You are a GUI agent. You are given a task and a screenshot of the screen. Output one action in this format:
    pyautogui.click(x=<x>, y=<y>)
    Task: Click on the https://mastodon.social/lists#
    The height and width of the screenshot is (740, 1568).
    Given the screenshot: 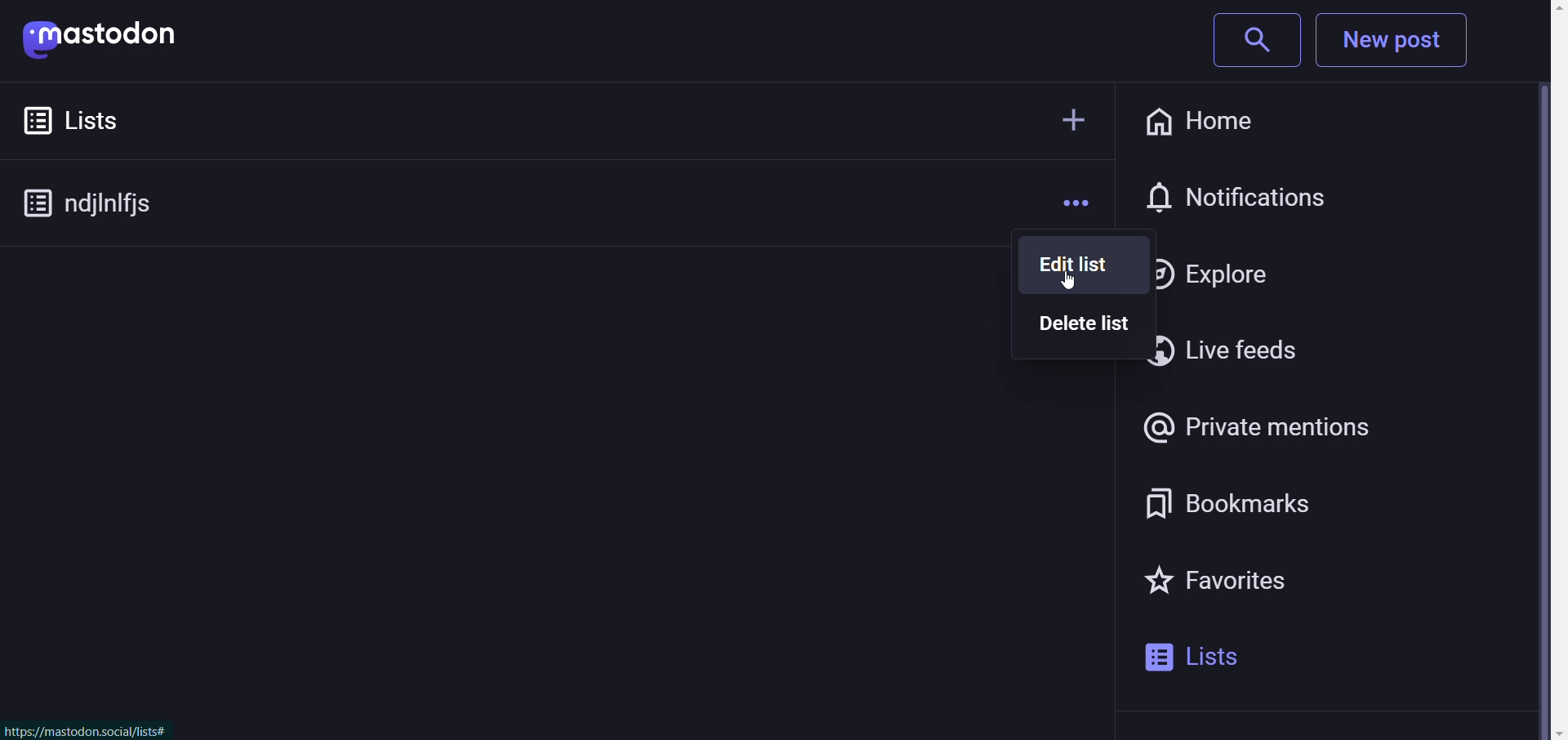 What is the action you would take?
    pyautogui.click(x=88, y=731)
    